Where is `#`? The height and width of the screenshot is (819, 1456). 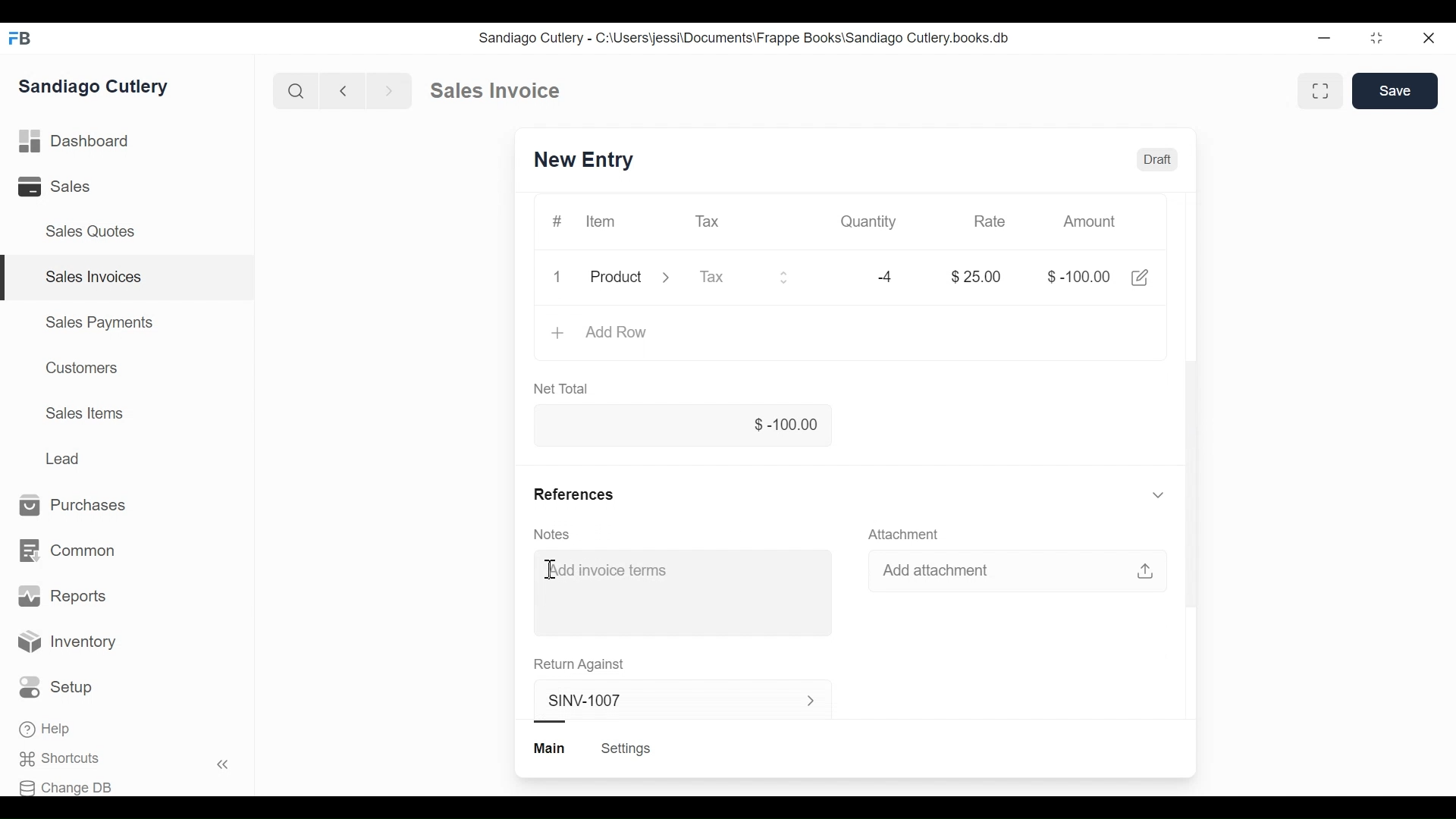
# is located at coordinates (556, 221).